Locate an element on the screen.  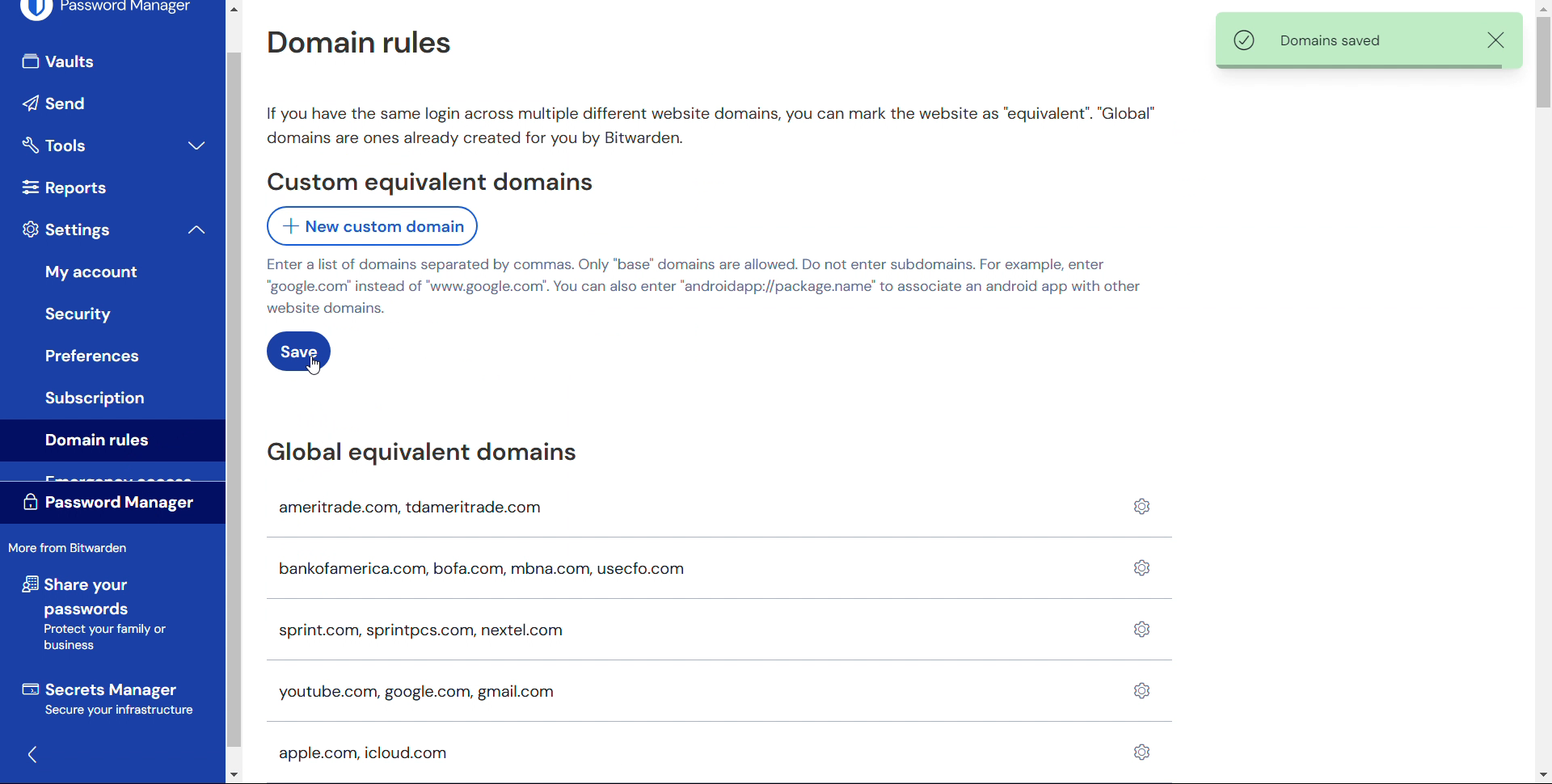
Scroll up  is located at coordinates (1544, 6).